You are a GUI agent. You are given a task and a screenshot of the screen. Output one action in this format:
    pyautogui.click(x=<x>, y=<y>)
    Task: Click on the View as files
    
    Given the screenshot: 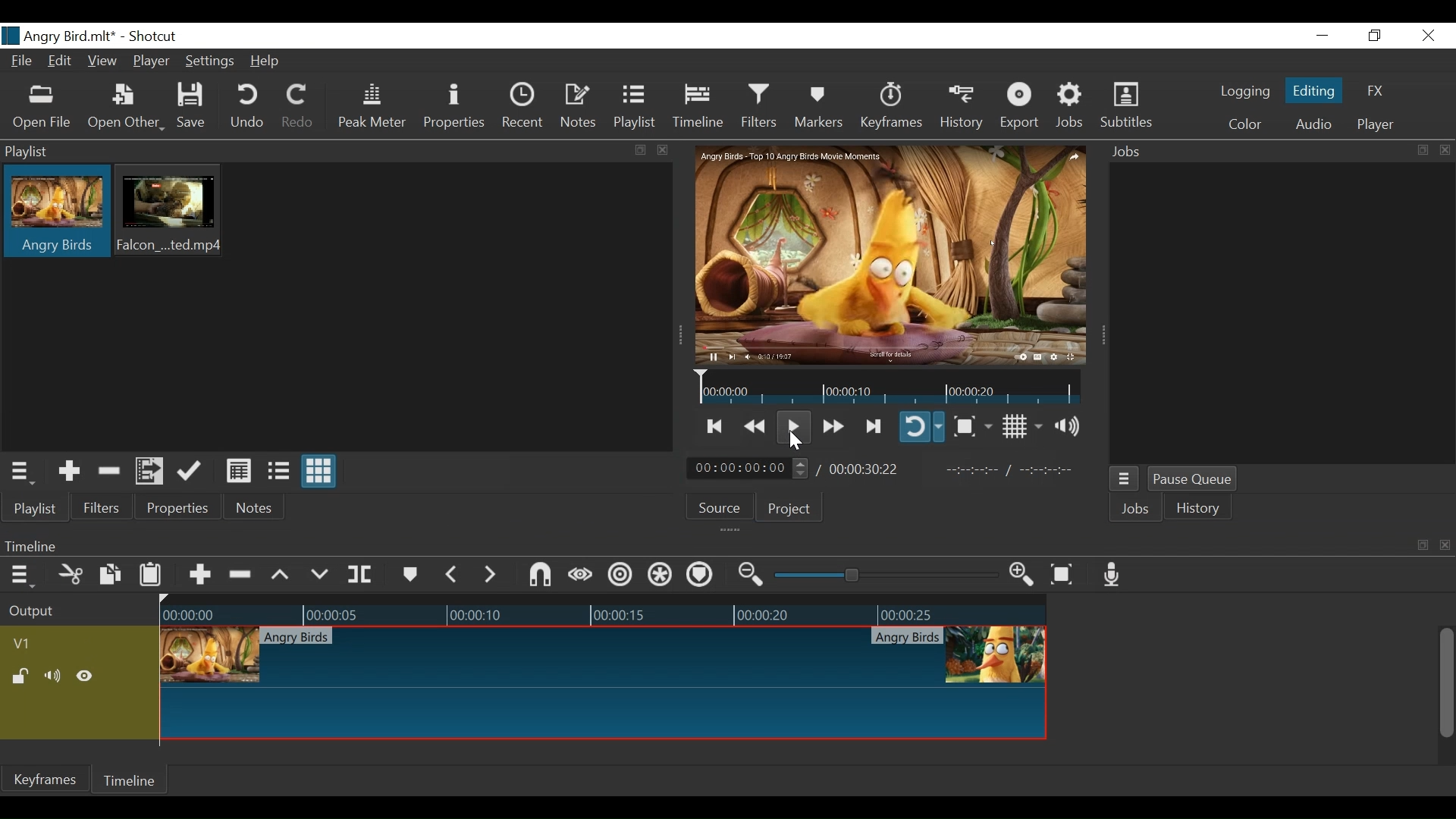 What is the action you would take?
    pyautogui.click(x=277, y=469)
    